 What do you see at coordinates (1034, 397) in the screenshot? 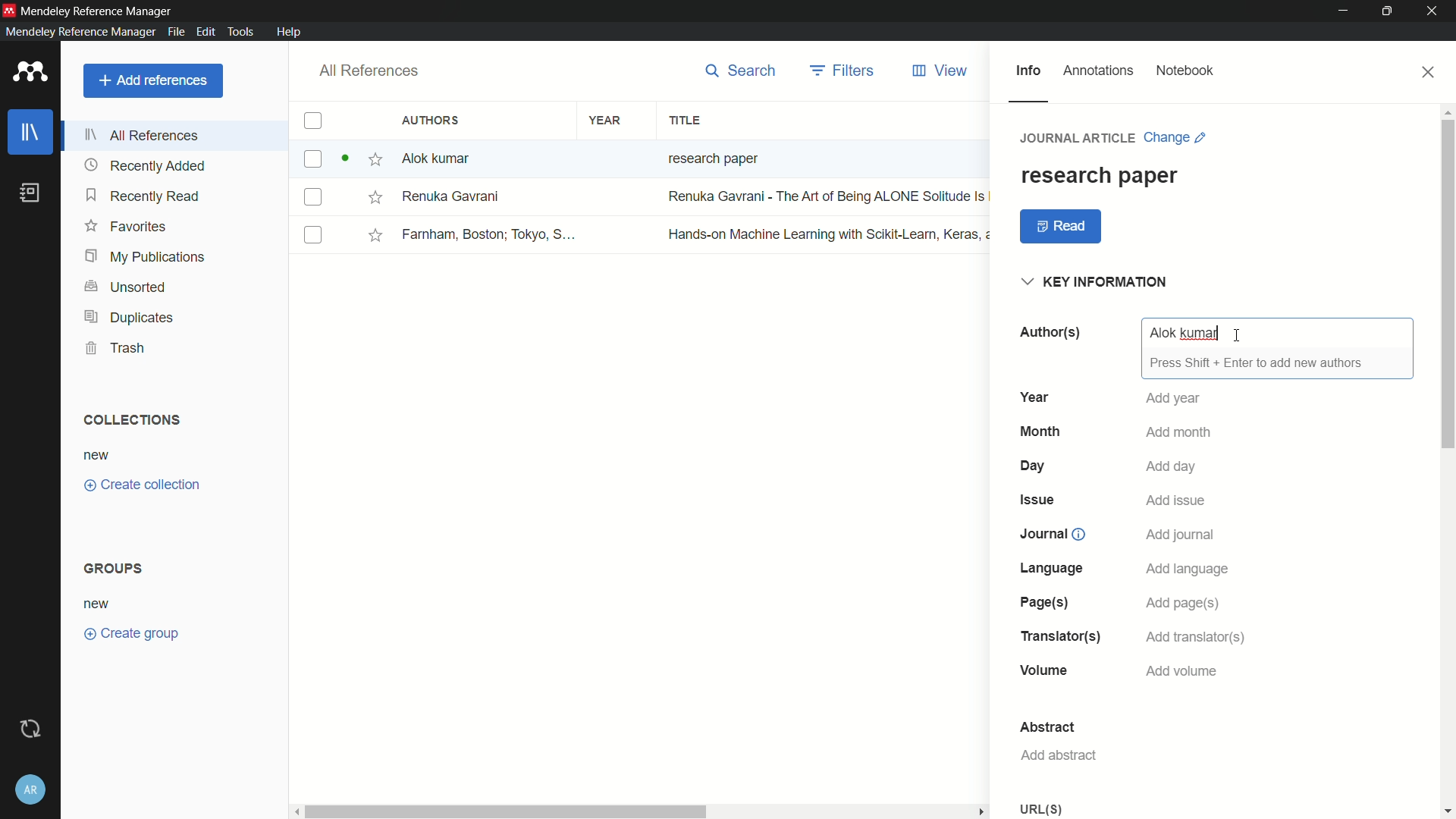
I see `Year` at bounding box center [1034, 397].